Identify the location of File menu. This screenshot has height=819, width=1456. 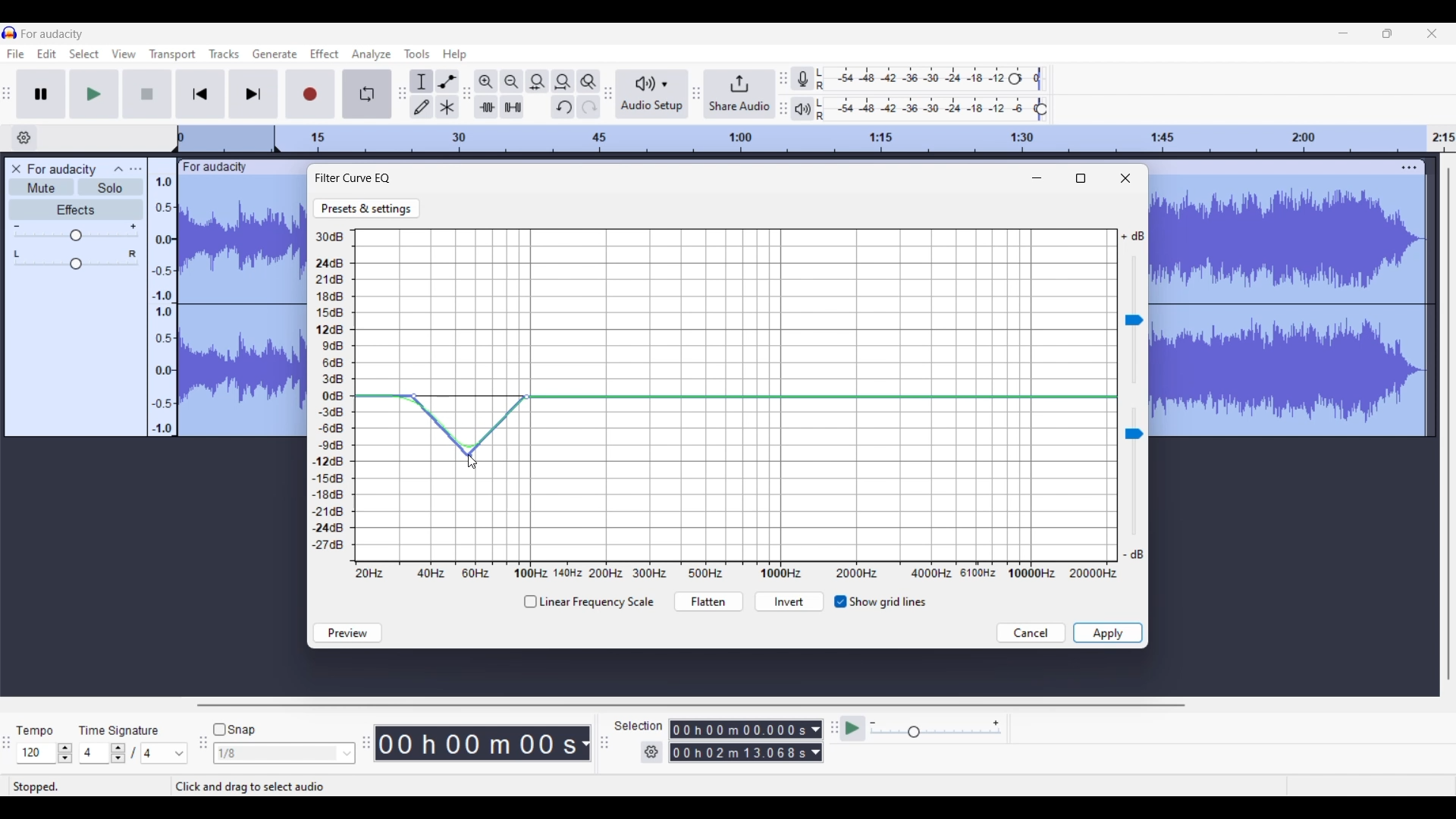
(15, 55).